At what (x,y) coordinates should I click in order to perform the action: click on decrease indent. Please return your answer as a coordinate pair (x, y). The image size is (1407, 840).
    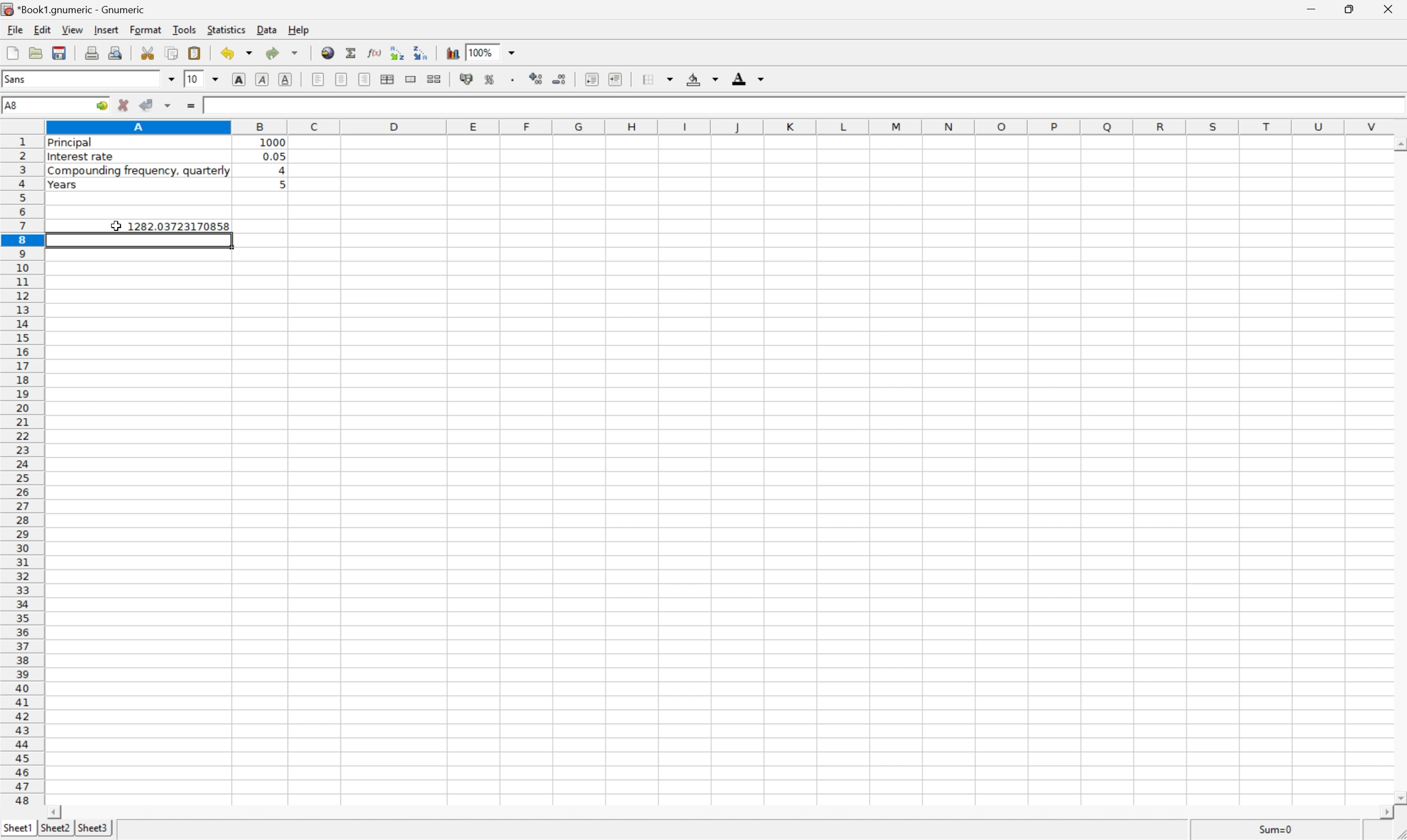
    Looking at the image, I should click on (592, 79).